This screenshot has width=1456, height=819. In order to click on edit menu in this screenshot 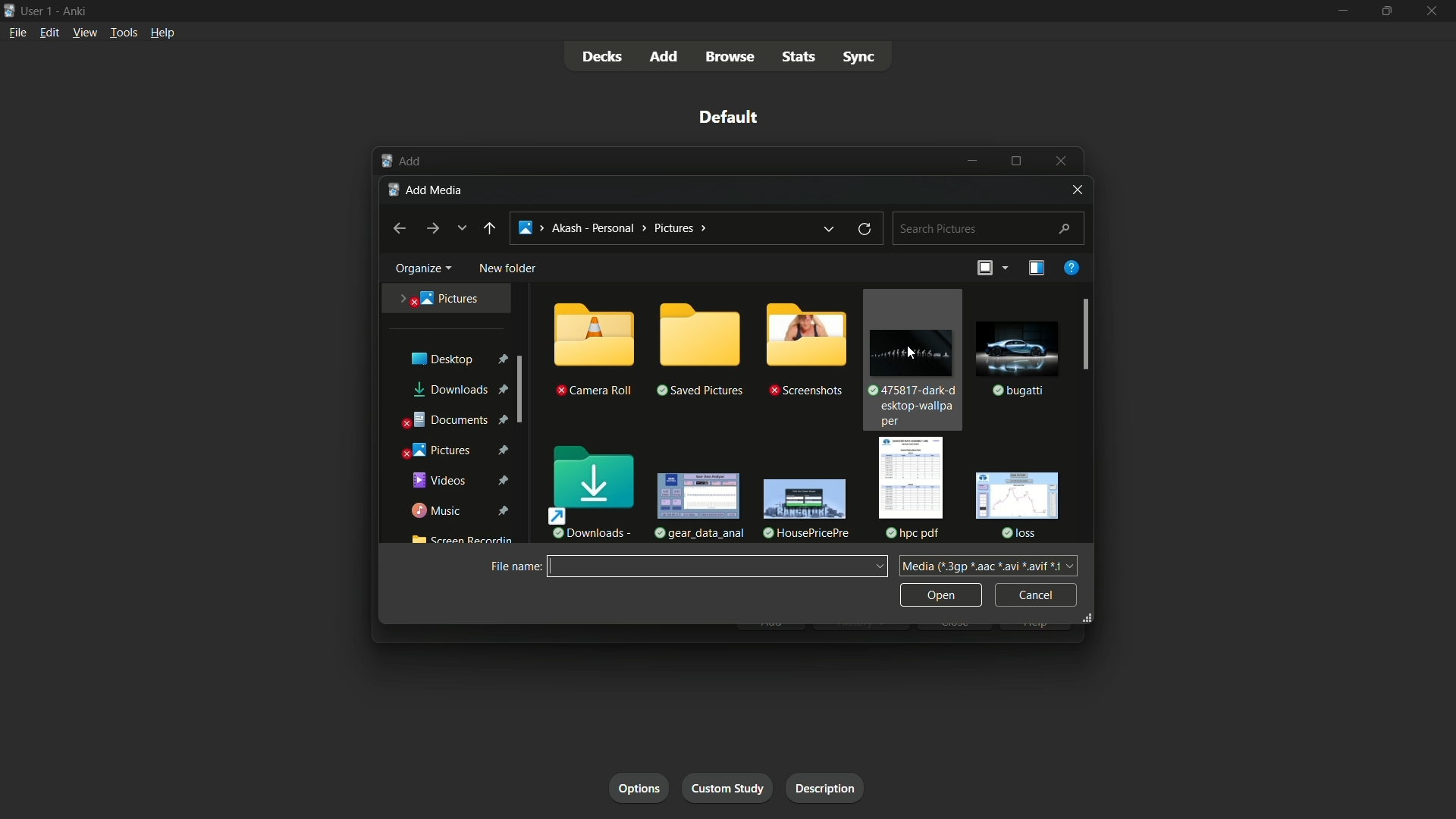, I will do `click(52, 32)`.